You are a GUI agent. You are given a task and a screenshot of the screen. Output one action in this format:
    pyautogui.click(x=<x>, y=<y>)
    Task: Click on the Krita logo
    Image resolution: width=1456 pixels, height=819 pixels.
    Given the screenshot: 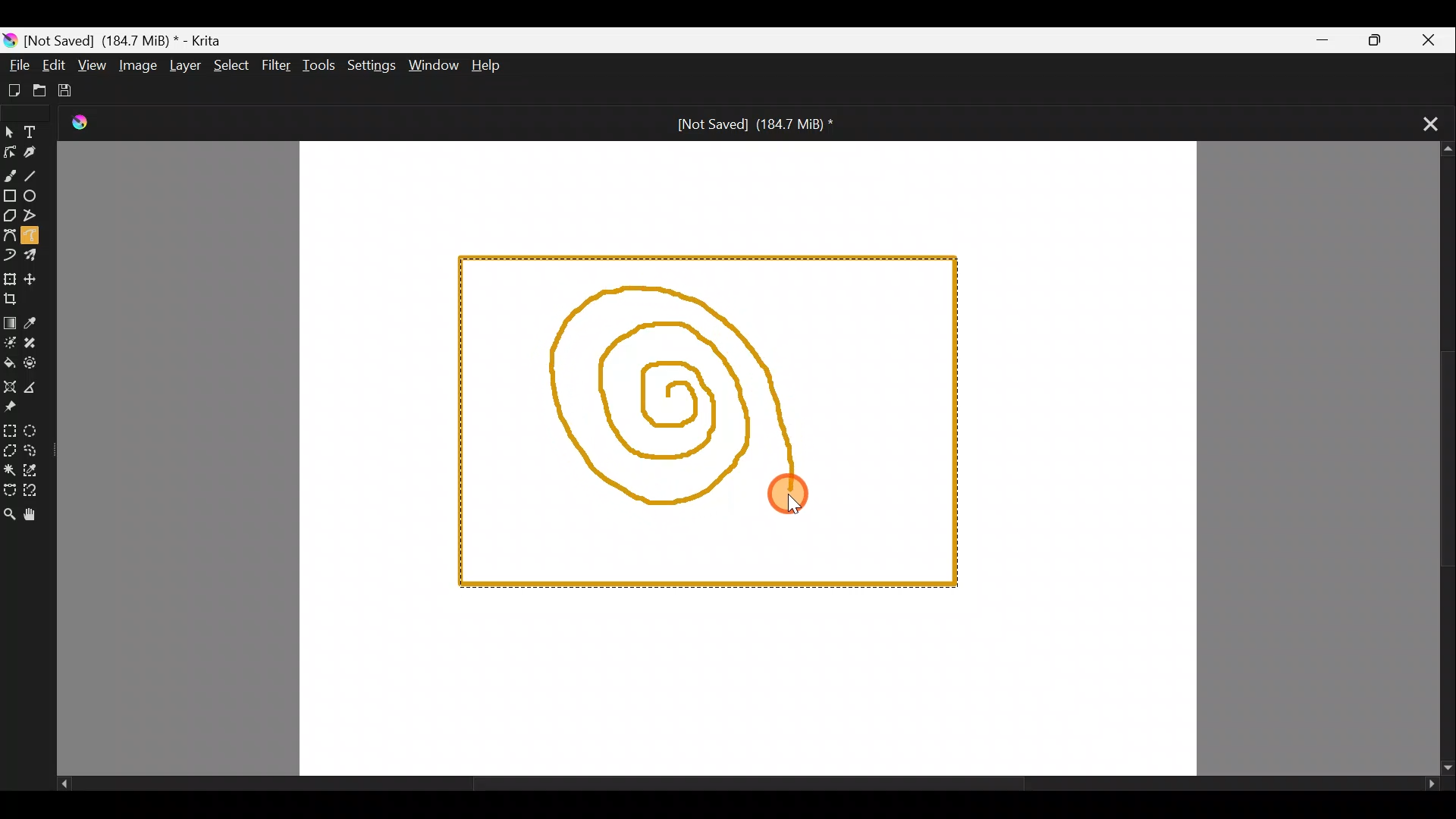 What is the action you would take?
    pyautogui.click(x=9, y=40)
    